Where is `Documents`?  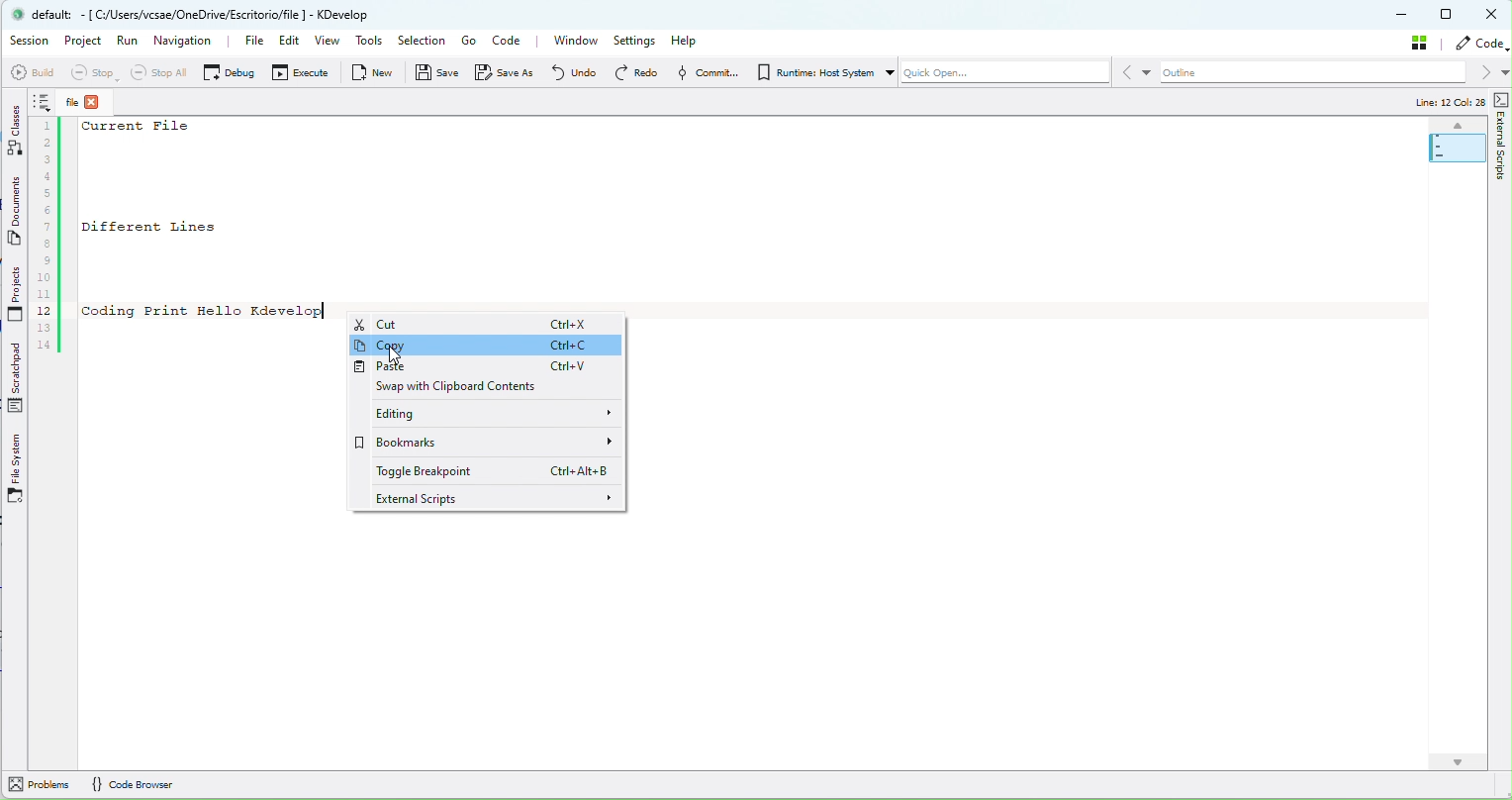 Documents is located at coordinates (17, 214).